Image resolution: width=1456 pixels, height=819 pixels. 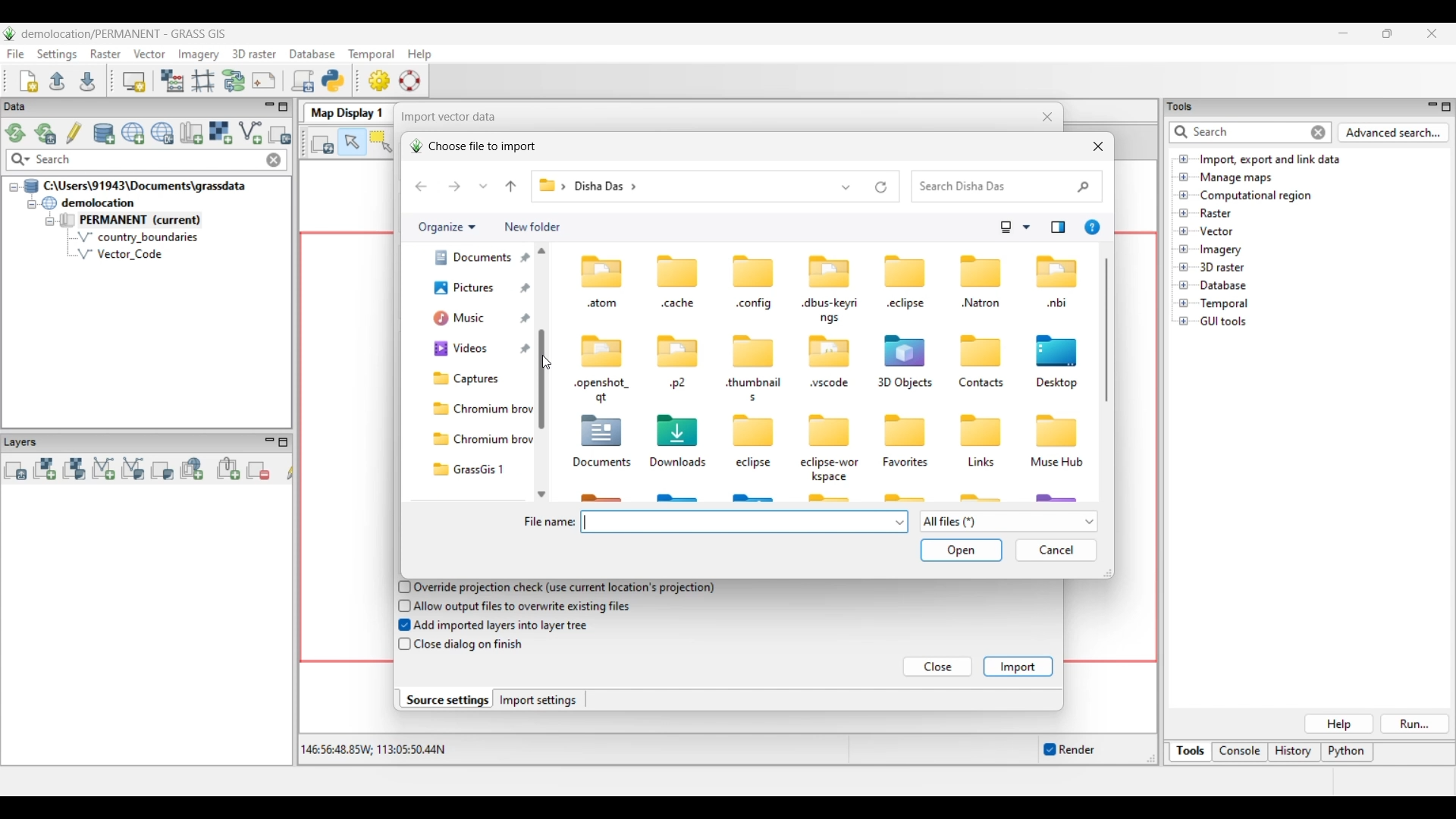 I want to click on Show list of previous locations, so click(x=847, y=187).